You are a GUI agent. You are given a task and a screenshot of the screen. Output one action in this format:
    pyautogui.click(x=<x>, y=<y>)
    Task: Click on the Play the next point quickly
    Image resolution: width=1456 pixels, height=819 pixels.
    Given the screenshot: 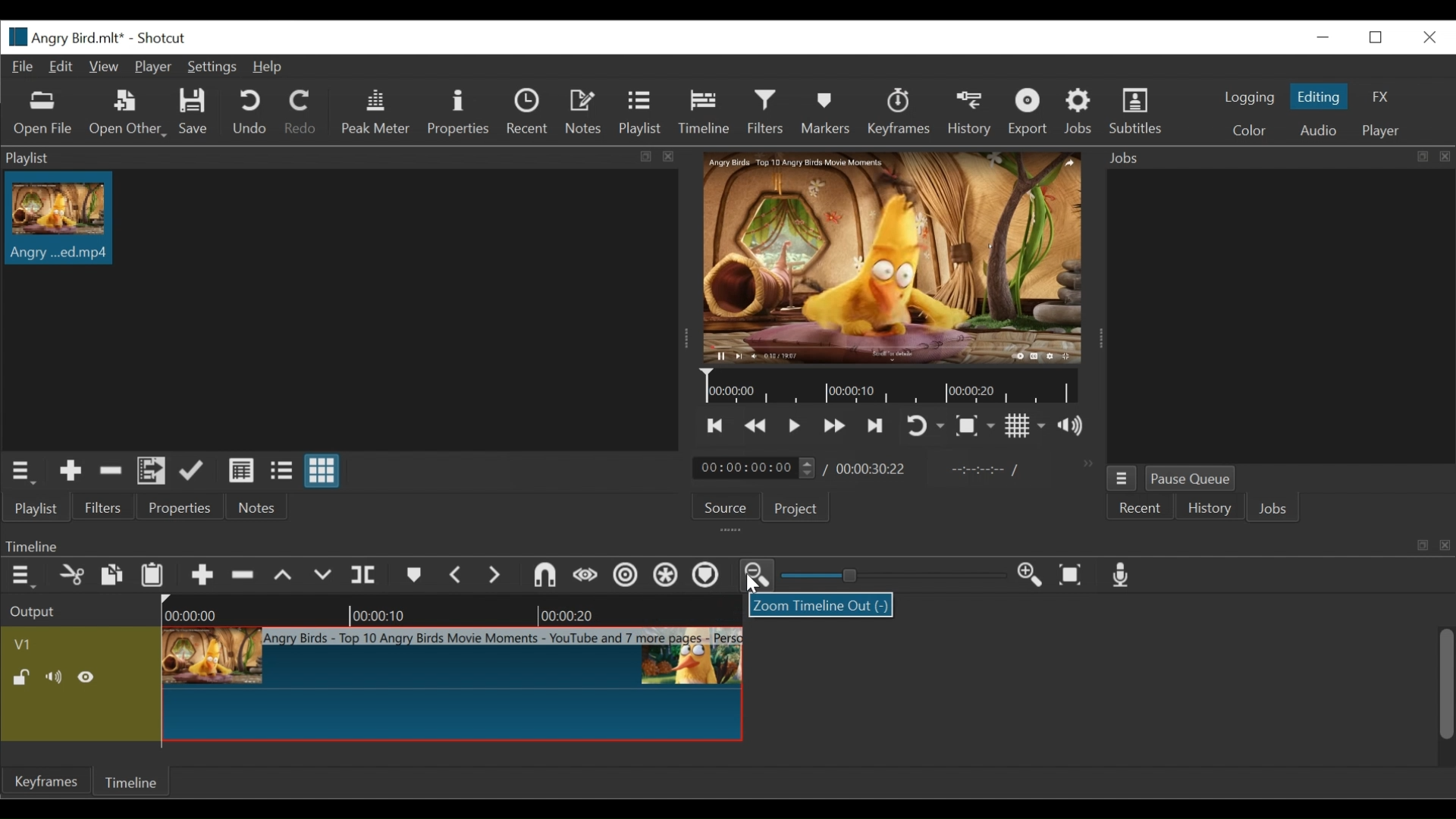 What is the action you would take?
    pyautogui.click(x=877, y=425)
    